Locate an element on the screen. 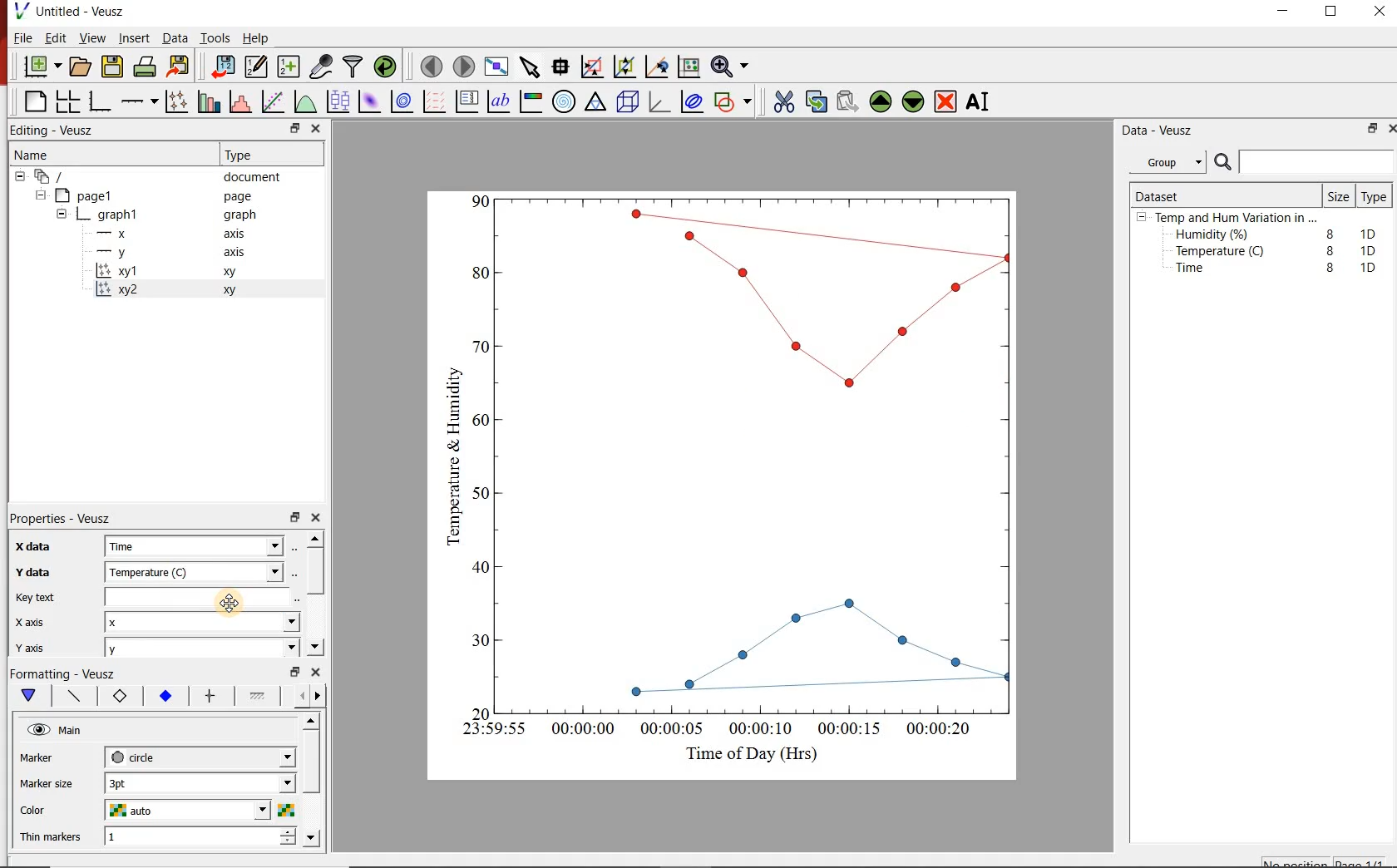 The height and width of the screenshot is (868, 1397). page1/1 is located at coordinates (1365, 861).